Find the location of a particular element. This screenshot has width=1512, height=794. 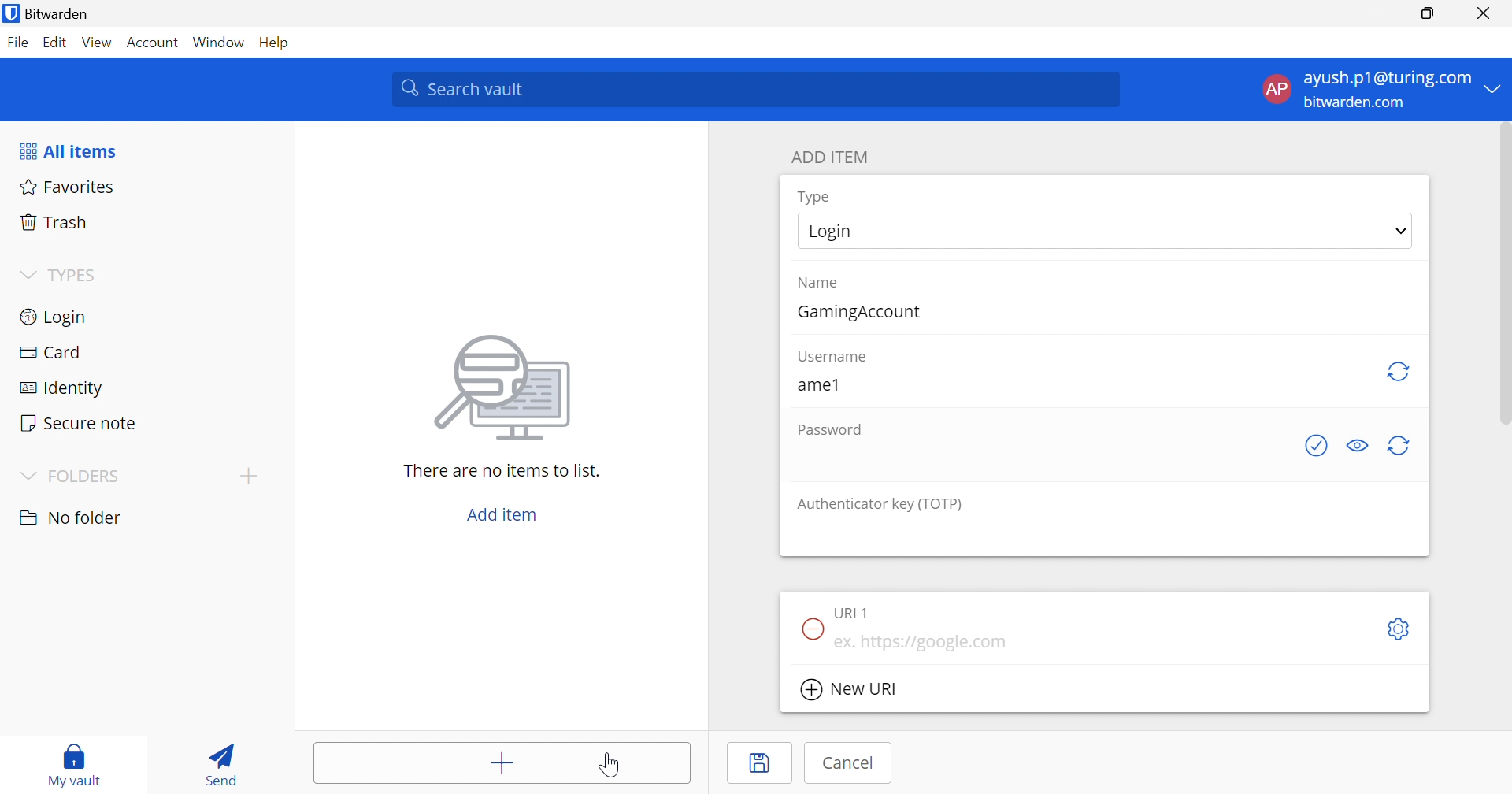

bitwarden.com is located at coordinates (1355, 103).